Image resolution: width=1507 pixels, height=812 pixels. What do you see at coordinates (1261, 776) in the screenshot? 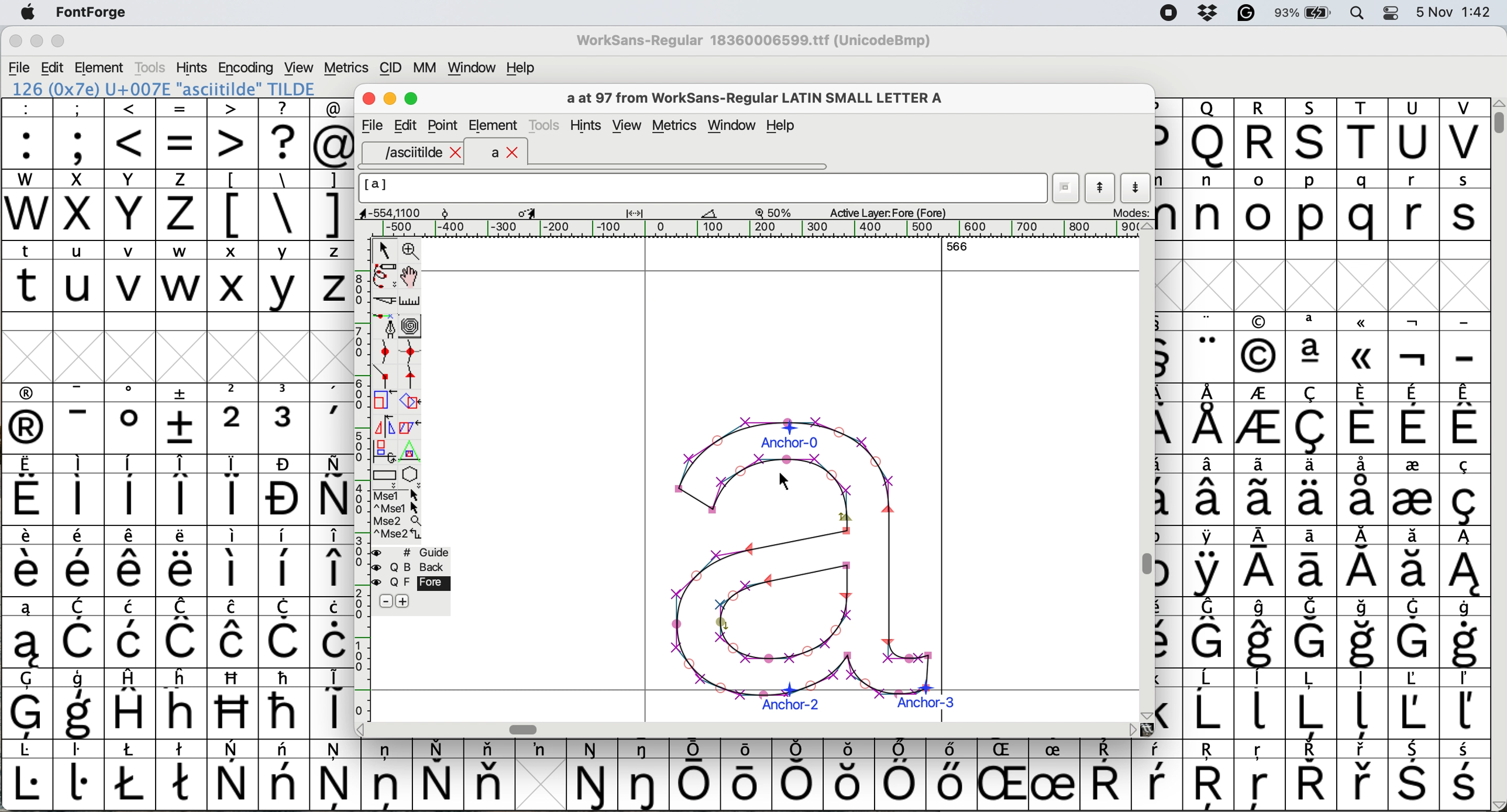
I see `` at bounding box center [1261, 776].